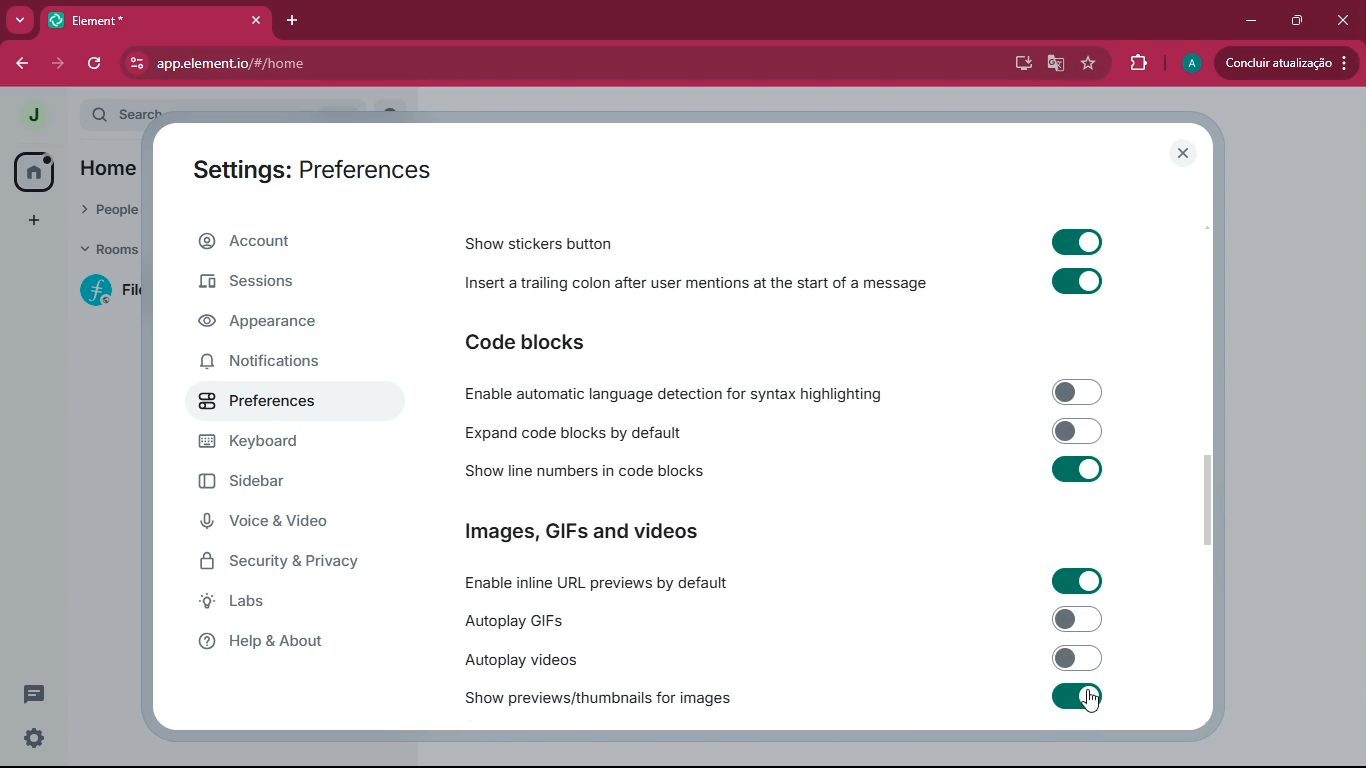 The width and height of the screenshot is (1366, 768). What do you see at coordinates (672, 392) in the screenshot?
I see `Enable automatic language detection for syntax highlighting` at bounding box center [672, 392].